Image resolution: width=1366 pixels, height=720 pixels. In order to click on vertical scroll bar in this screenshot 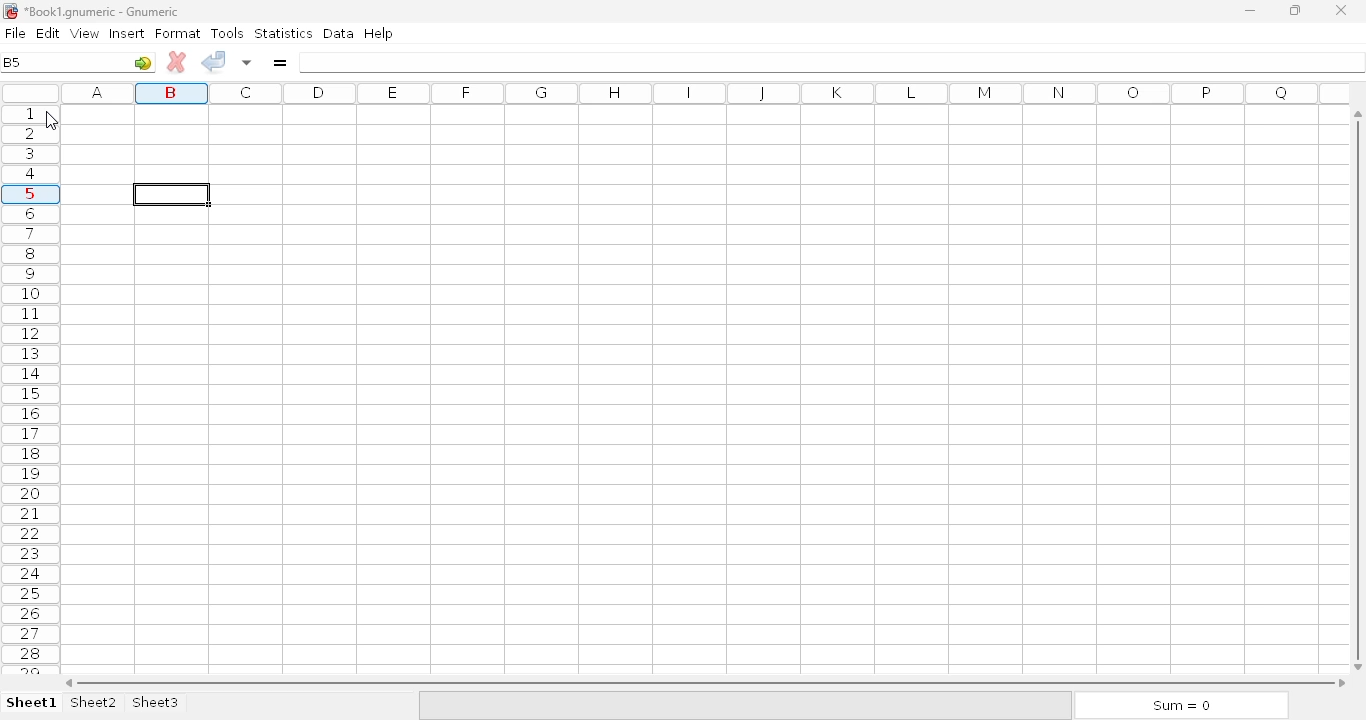, I will do `click(1361, 389)`.